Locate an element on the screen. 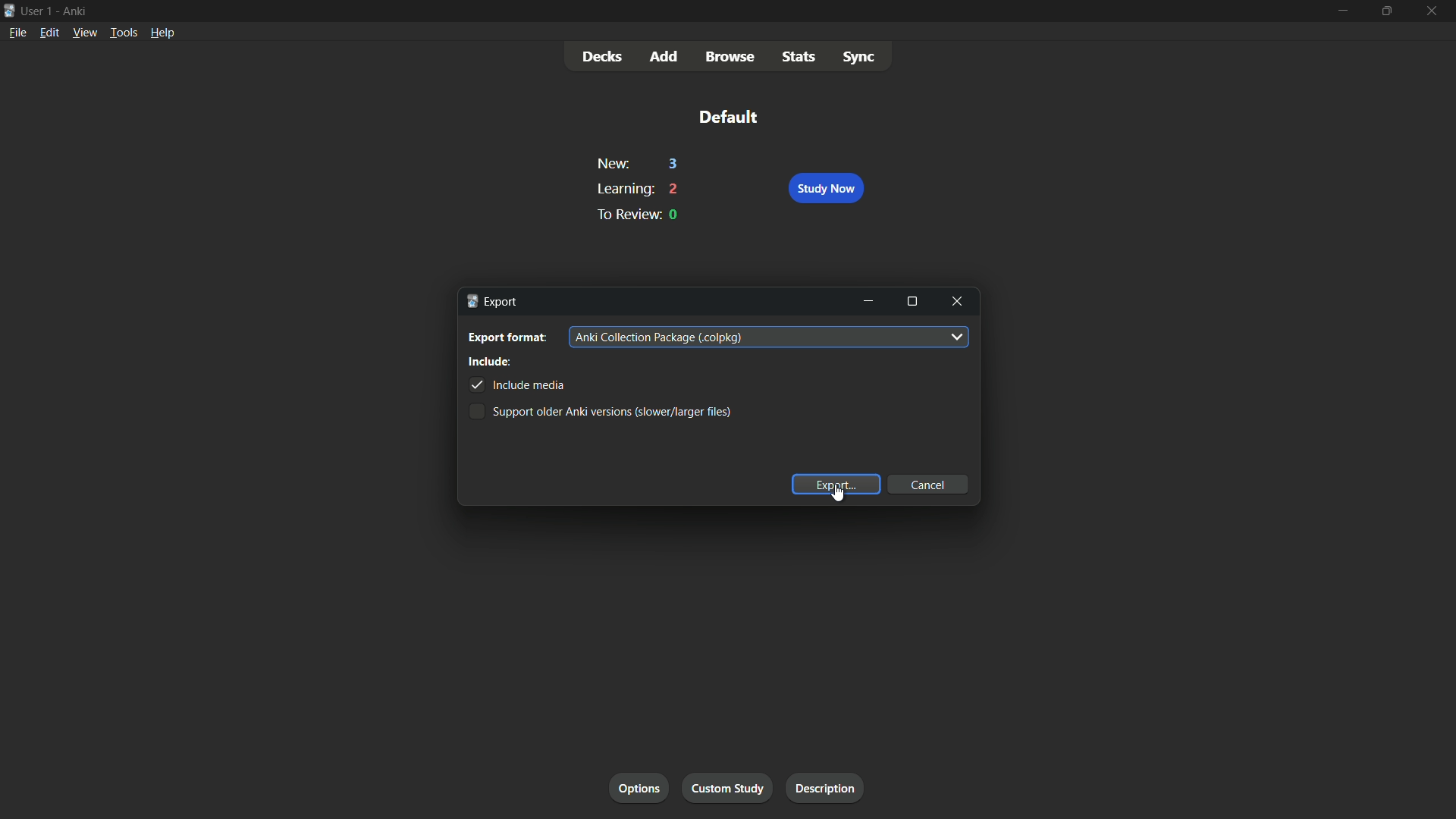 This screenshot has height=819, width=1456. exporrt is located at coordinates (495, 301).